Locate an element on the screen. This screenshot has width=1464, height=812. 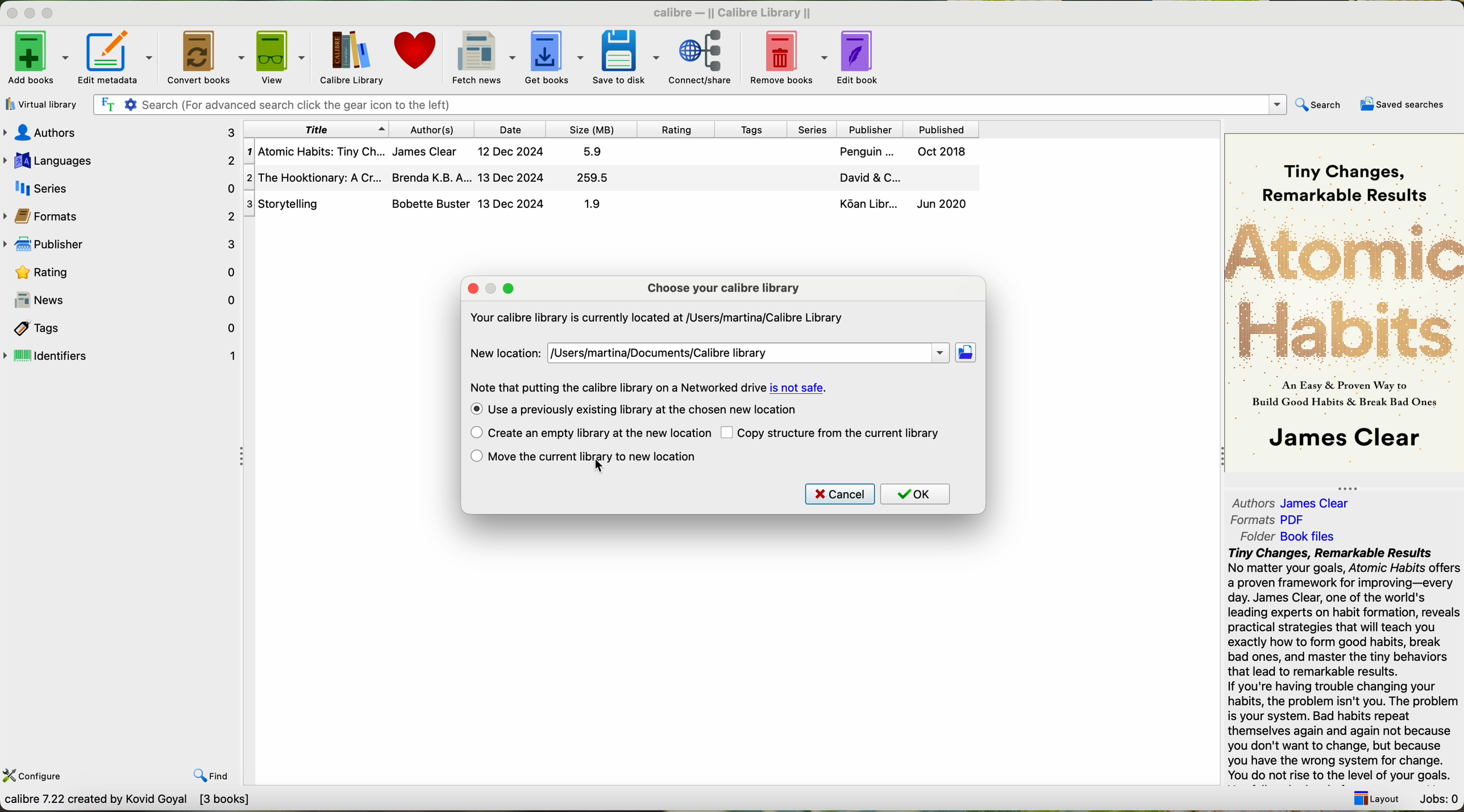
title is located at coordinates (315, 130).